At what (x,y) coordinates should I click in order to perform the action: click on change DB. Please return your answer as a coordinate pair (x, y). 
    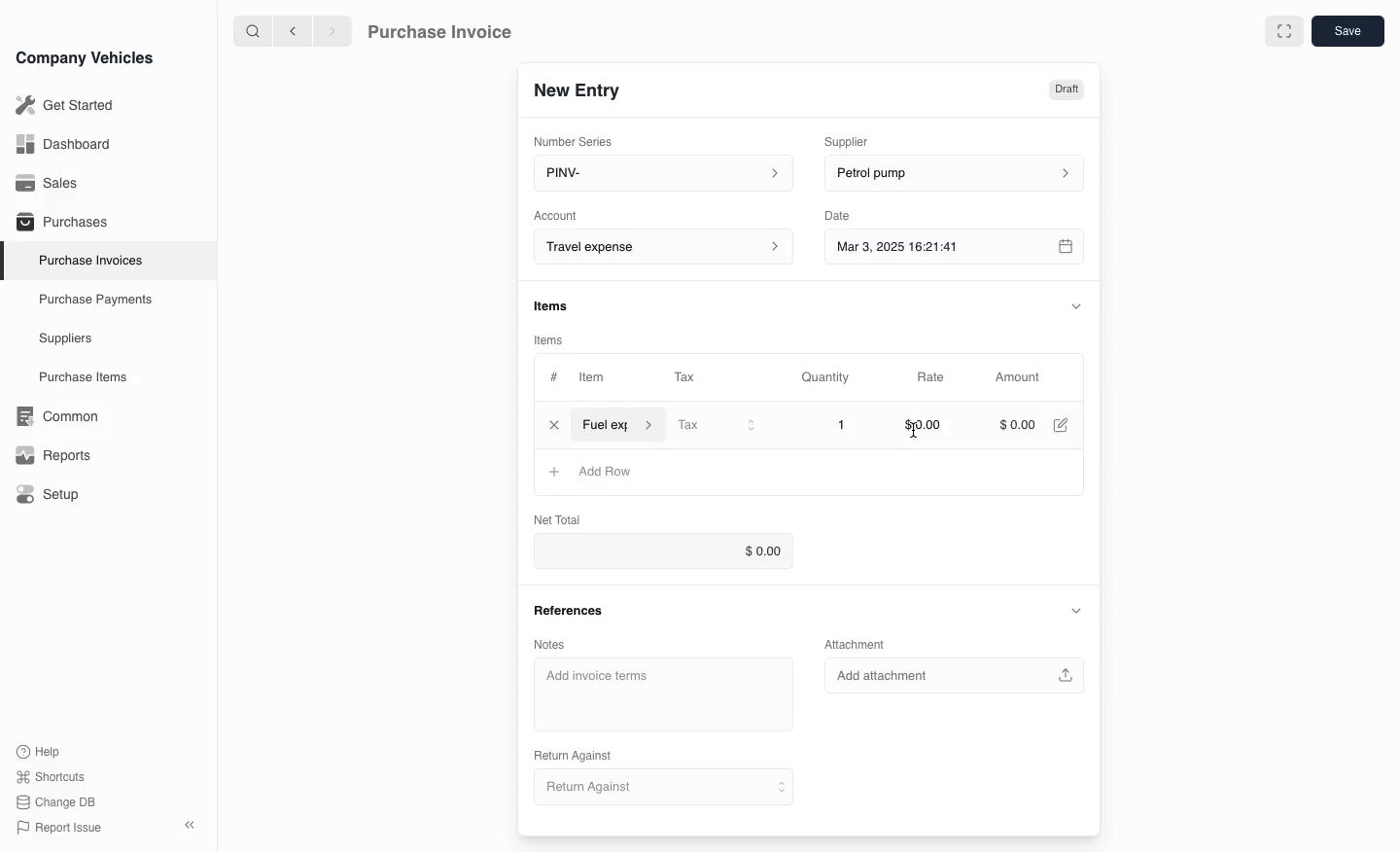
    Looking at the image, I should click on (58, 802).